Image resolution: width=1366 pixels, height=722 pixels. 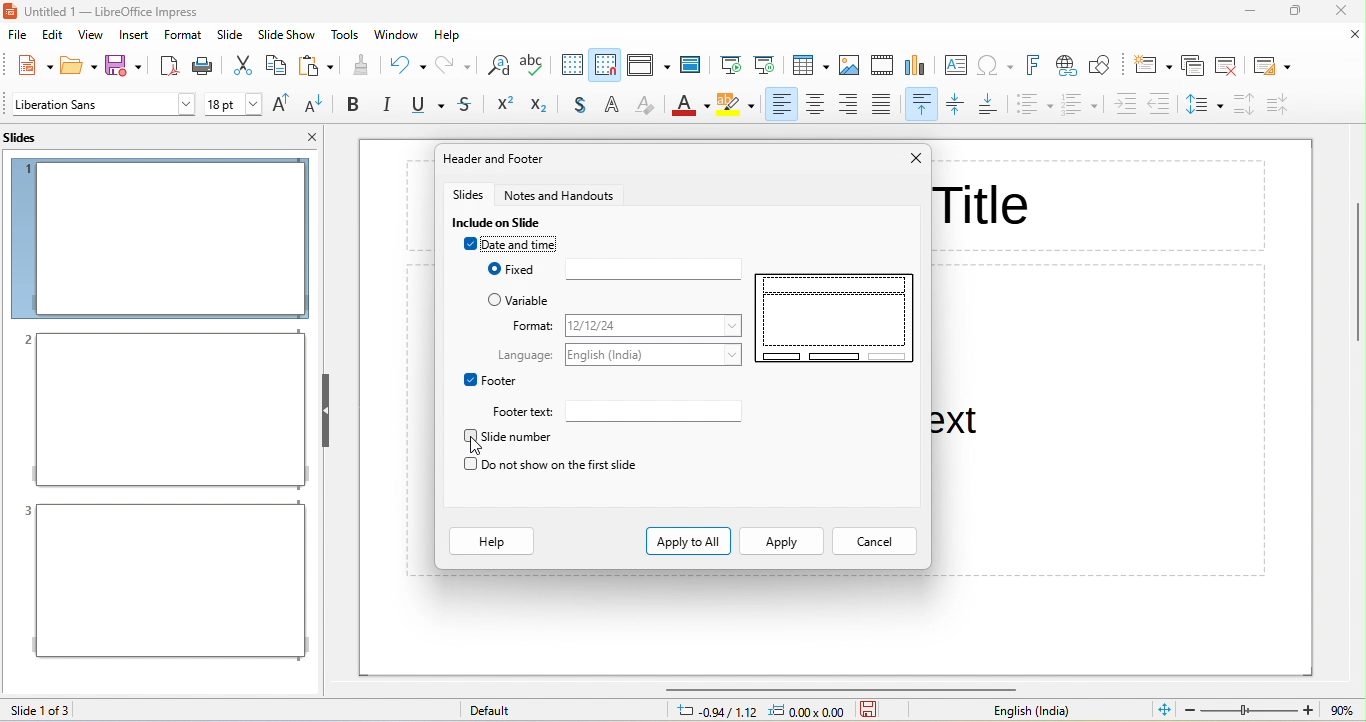 What do you see at coordinates (653, 269) in the screenshot?
I see `input box` at bounding box center [653, 269].